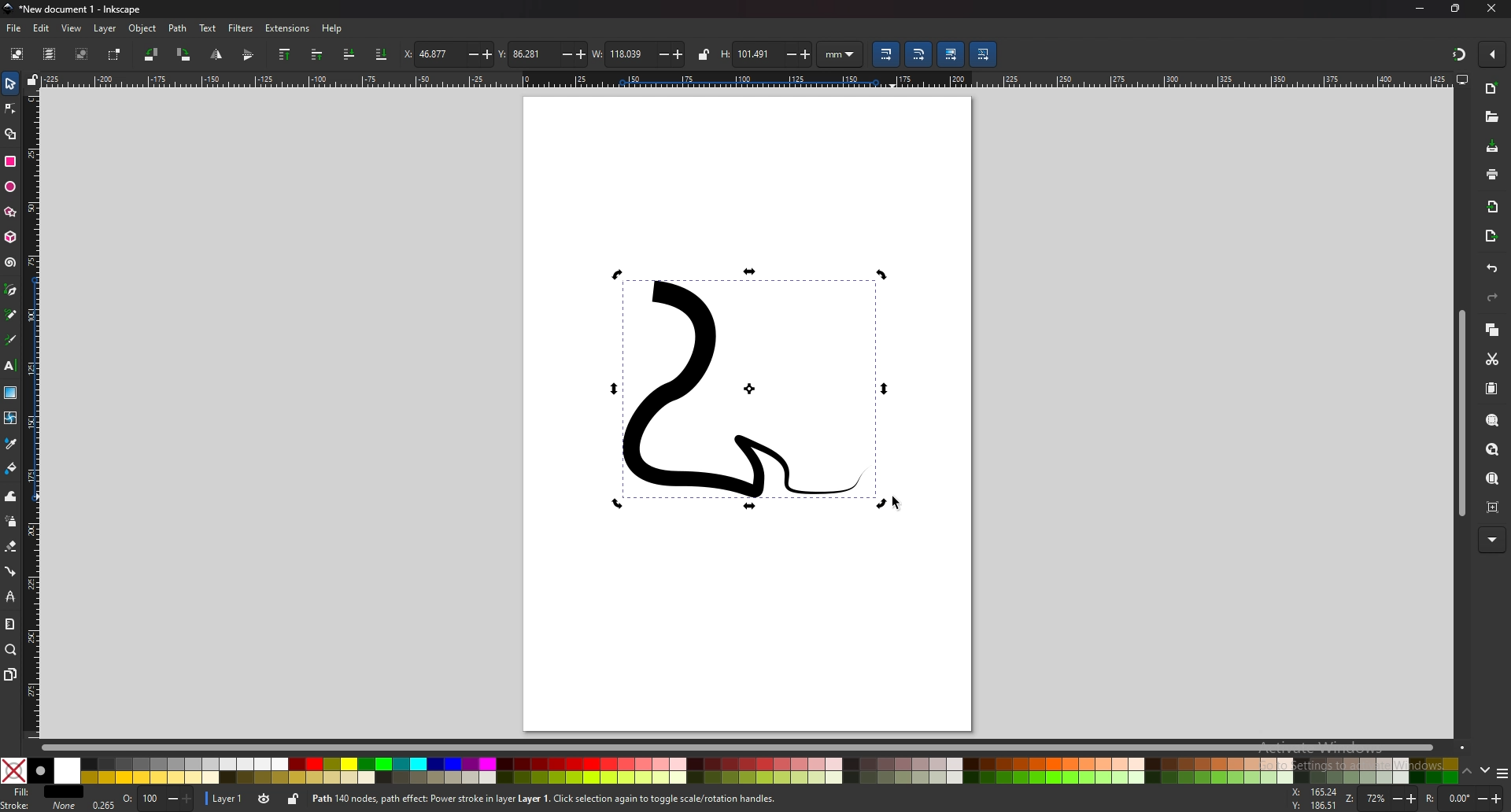  What do you see at coordinates (11, 108) in the screenshot?
I see `nodes` at bounding box center [11, 108].